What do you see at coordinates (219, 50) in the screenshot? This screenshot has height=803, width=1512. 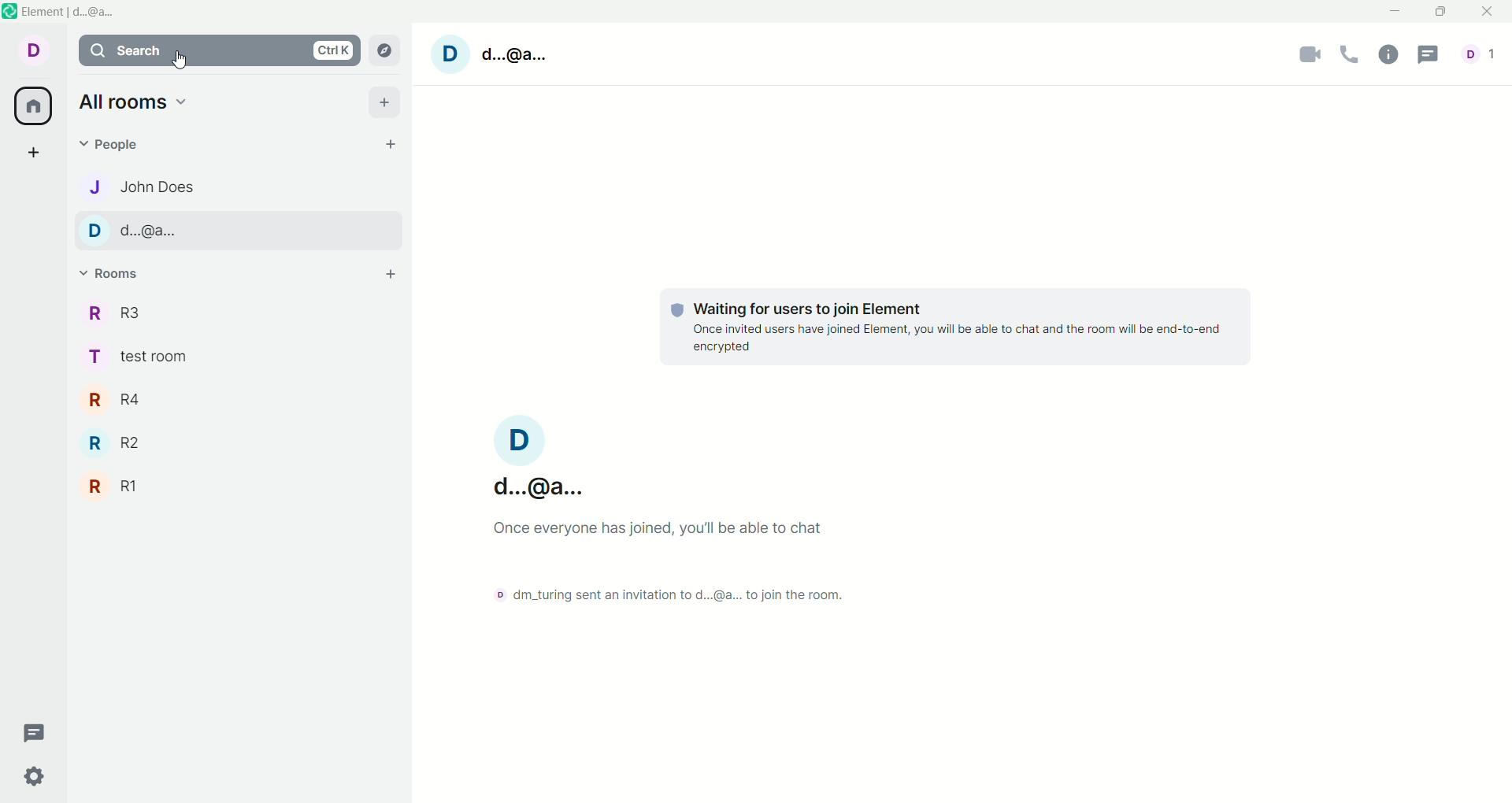 I see `search` at bounding box center [219, 50].